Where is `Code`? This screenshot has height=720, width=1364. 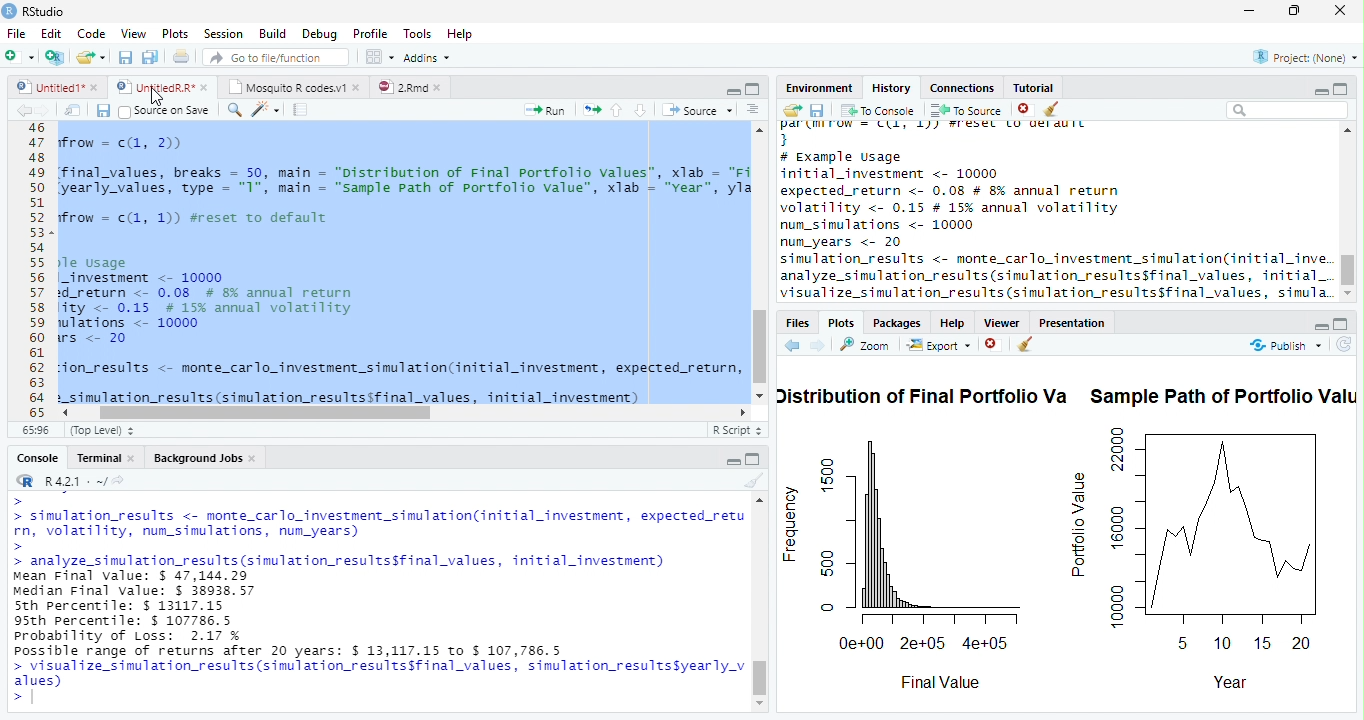 Code is located at coordinates (402, 264).